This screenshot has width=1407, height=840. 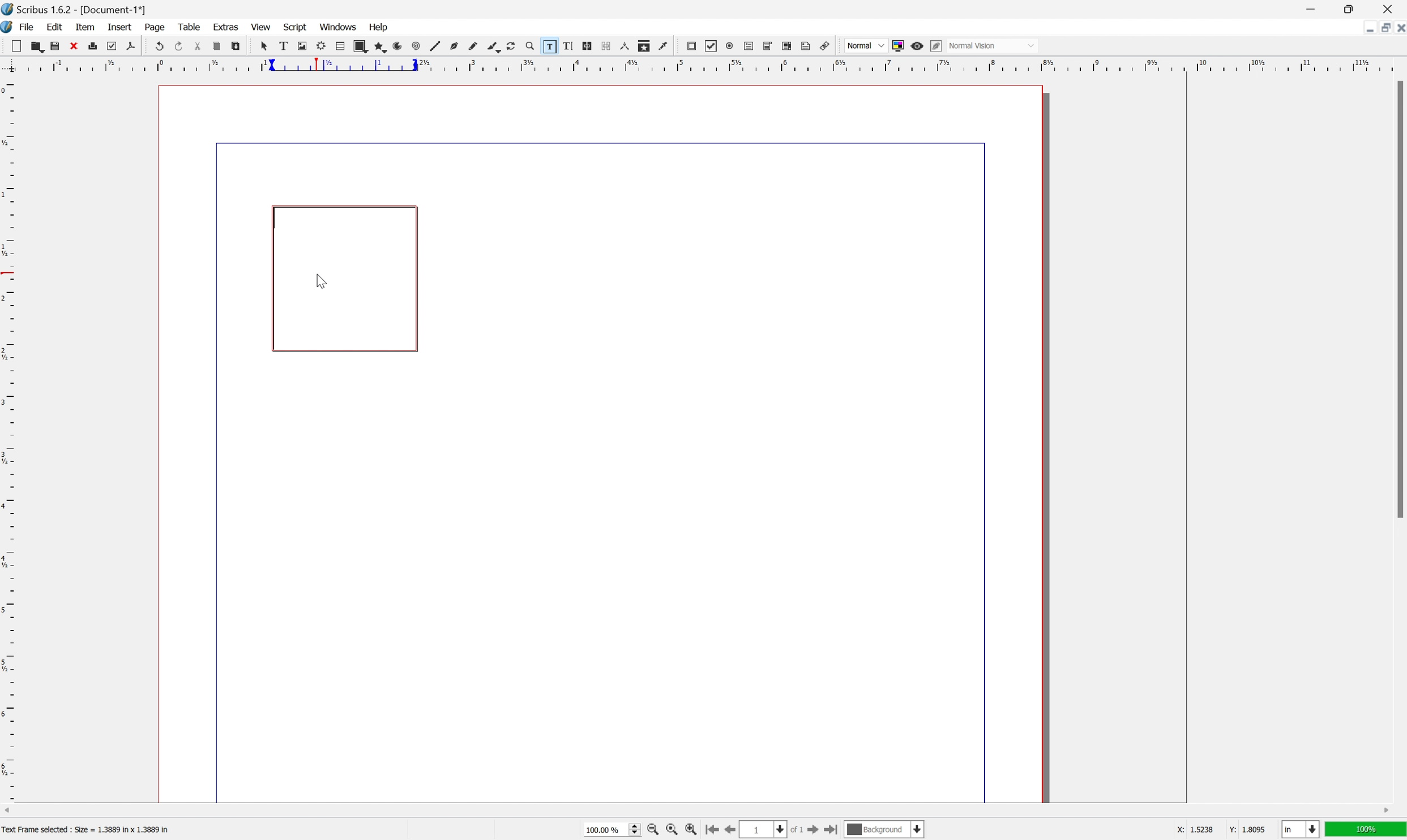 I want to click on table, so click(x=340, y=46).